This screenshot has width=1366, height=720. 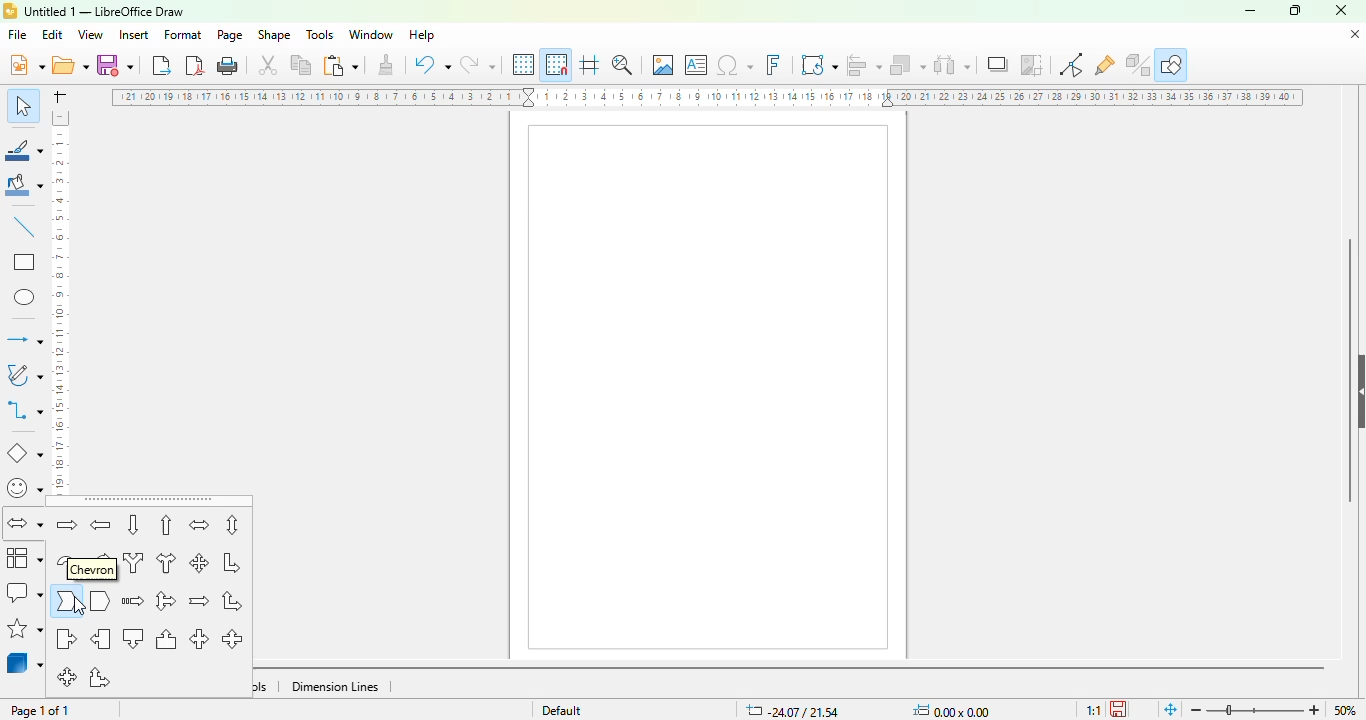 I want to click on window, so click(x=371, y=35).